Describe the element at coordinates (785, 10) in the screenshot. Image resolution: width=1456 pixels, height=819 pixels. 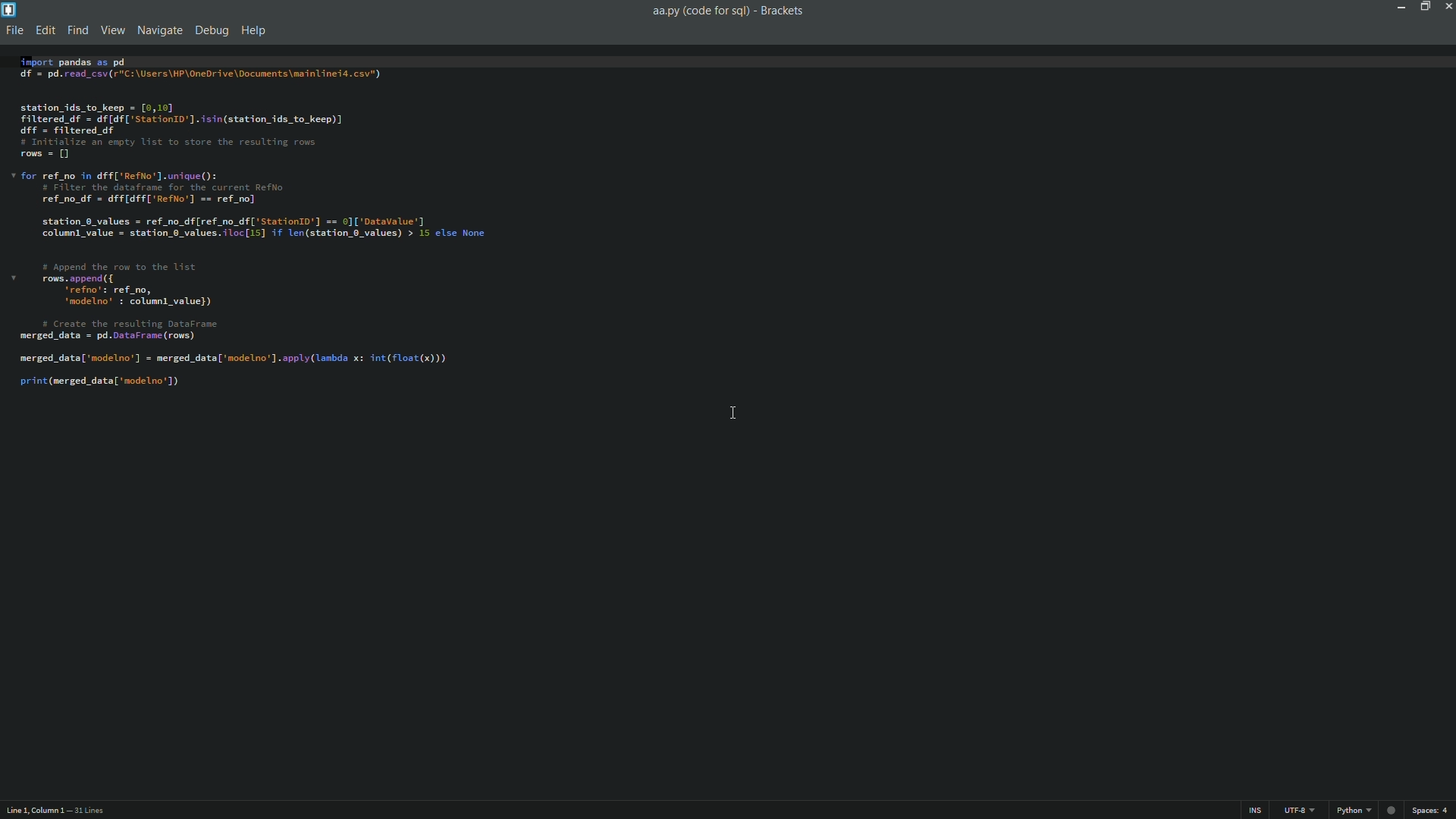
I see `app name` at that location.